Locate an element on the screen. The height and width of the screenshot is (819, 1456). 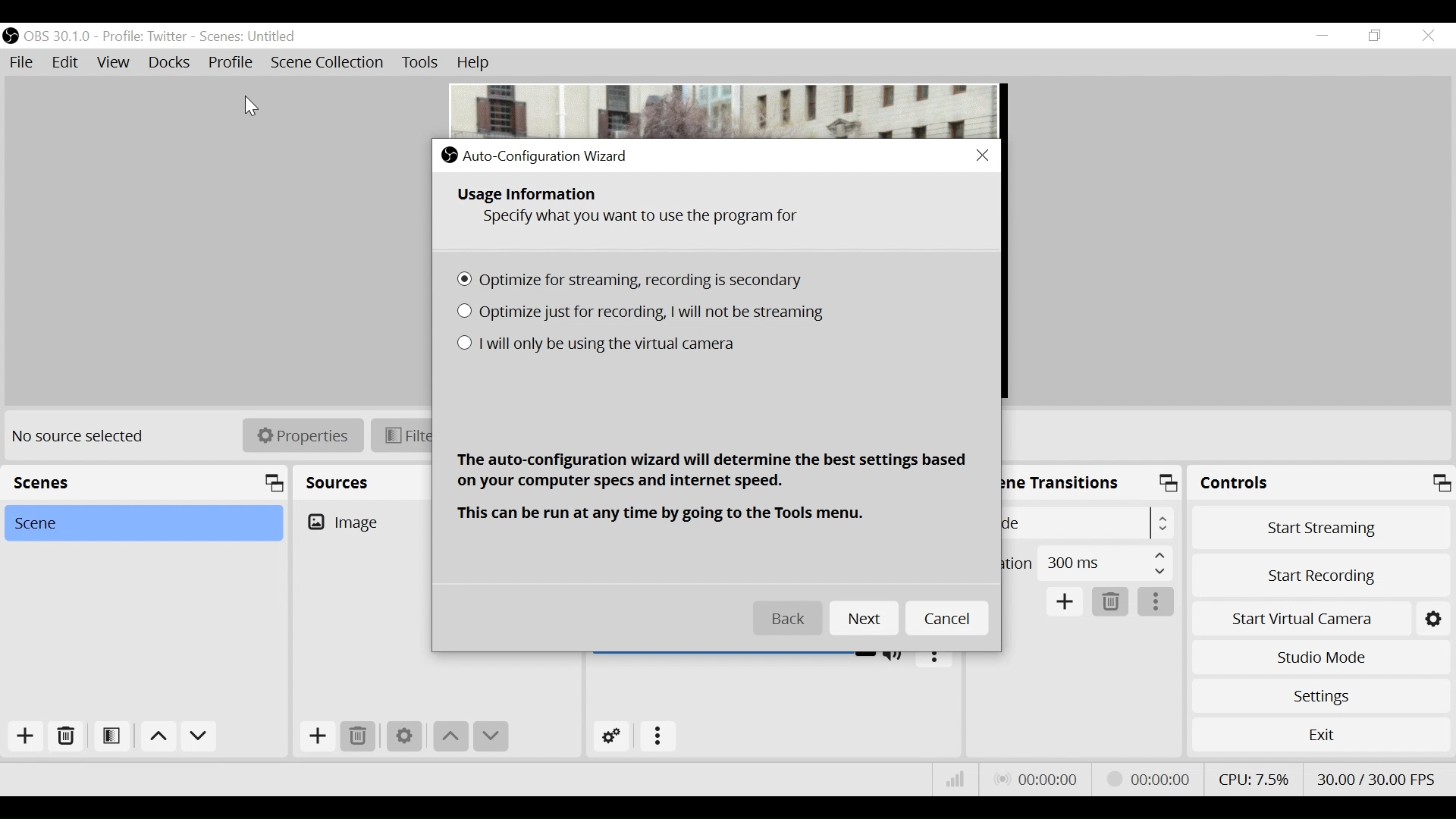
Maximize is located at coordinates (1171, 486).